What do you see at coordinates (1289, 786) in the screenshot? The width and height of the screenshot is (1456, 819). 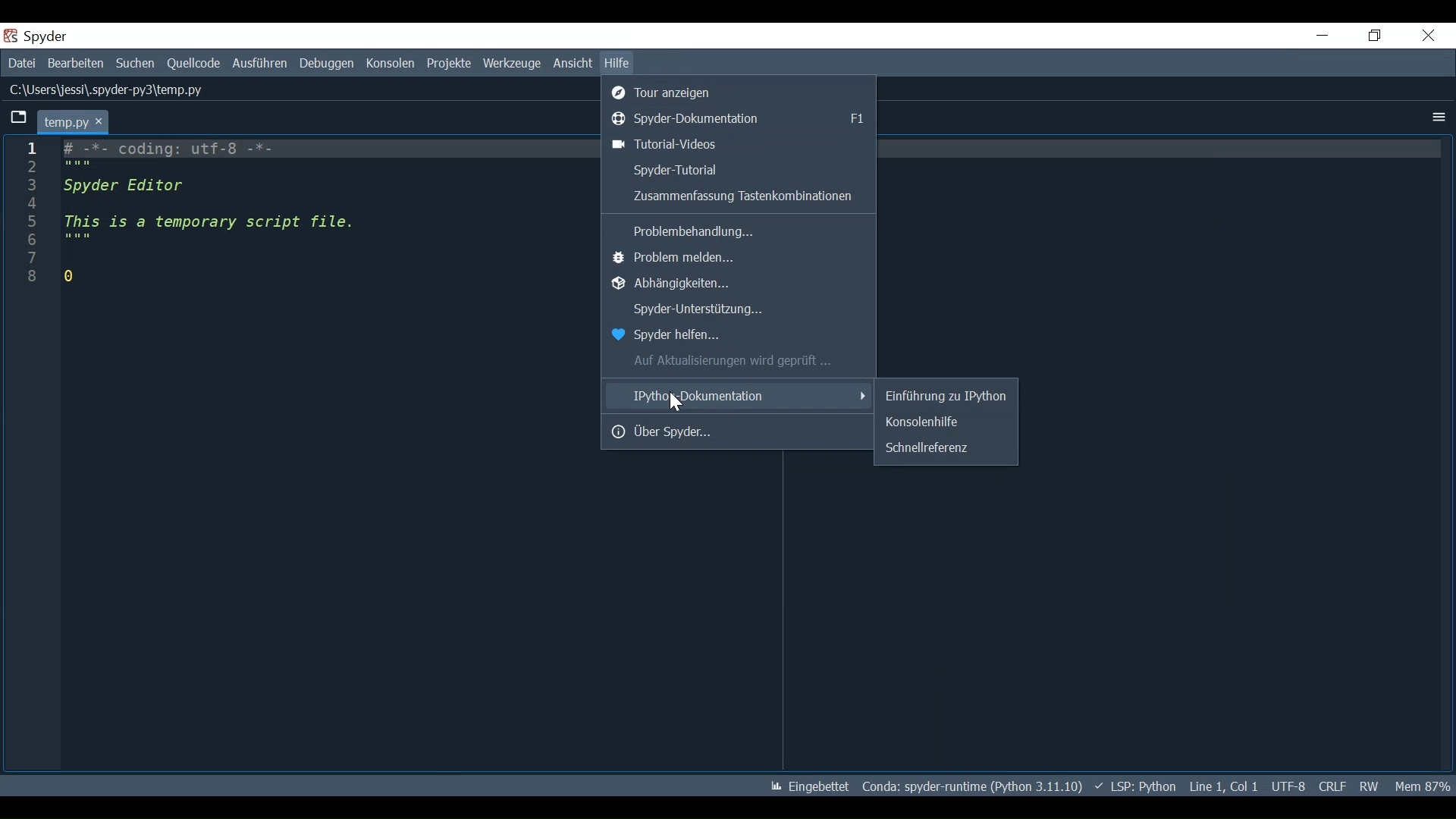 I see `UTF-8` at bounding box center [1289, 786].